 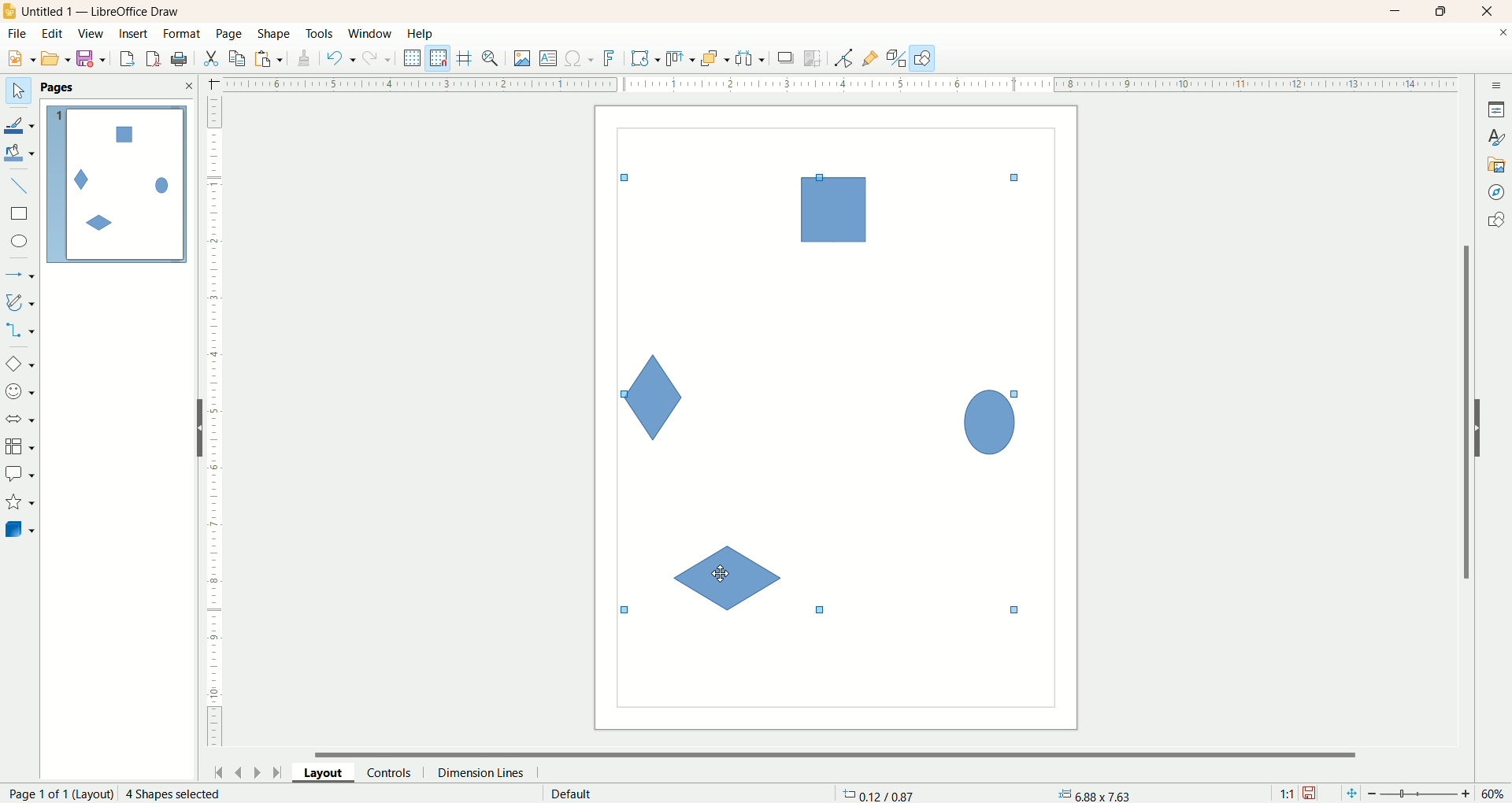 I want to click on insert image, so click(x=523, y=59).